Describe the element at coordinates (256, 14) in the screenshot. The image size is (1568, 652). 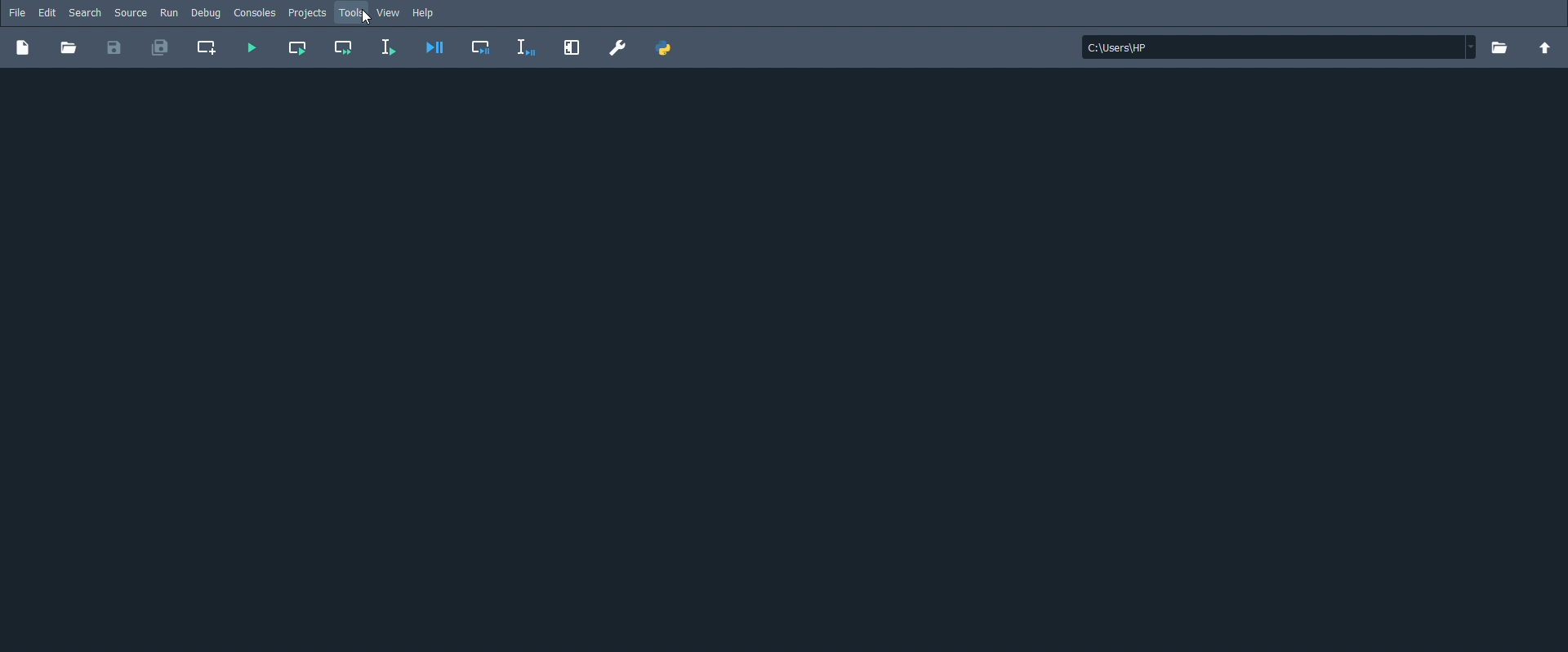
I see `Consoles` at that location.